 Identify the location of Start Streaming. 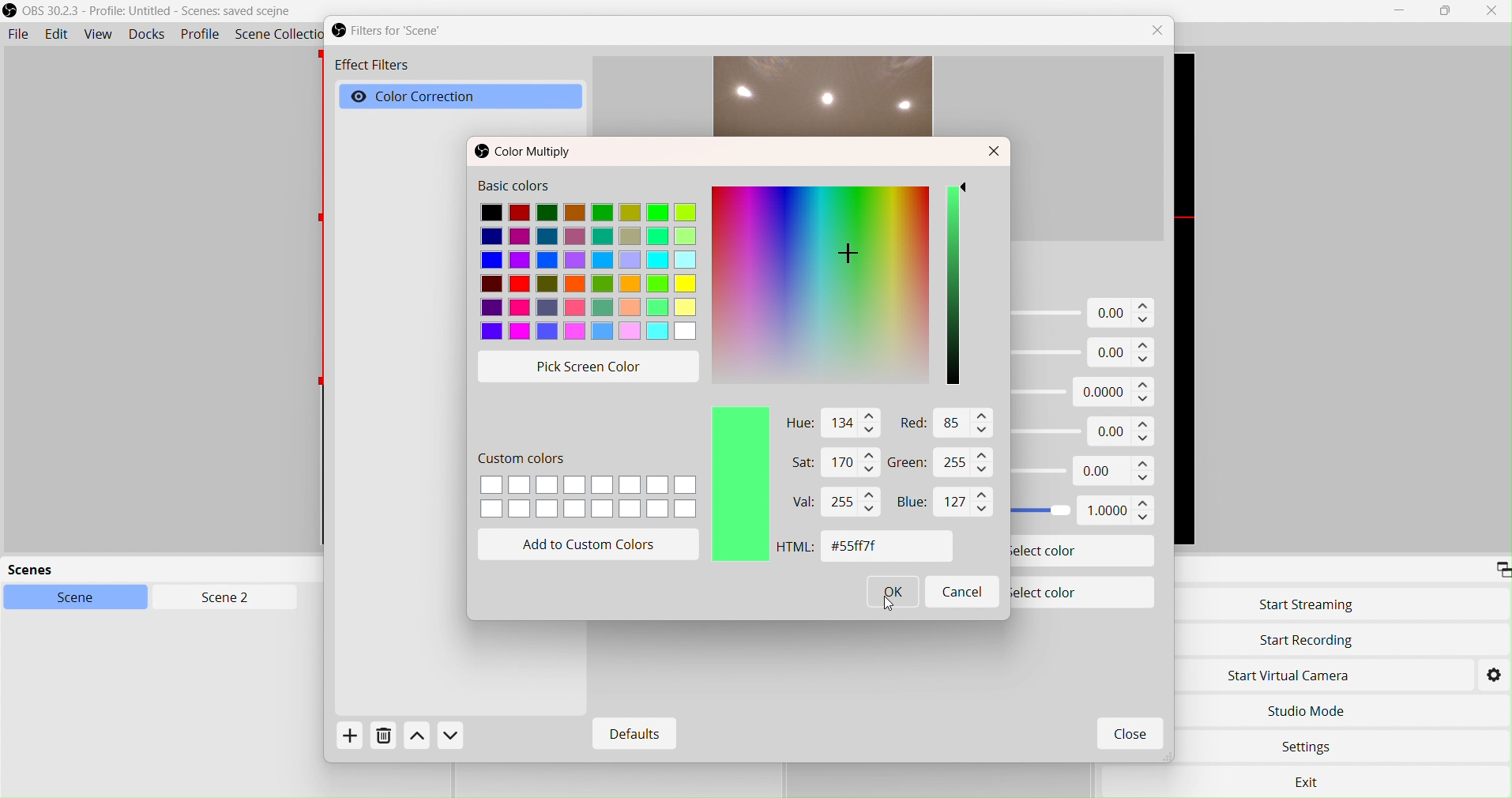
(1307, 604).